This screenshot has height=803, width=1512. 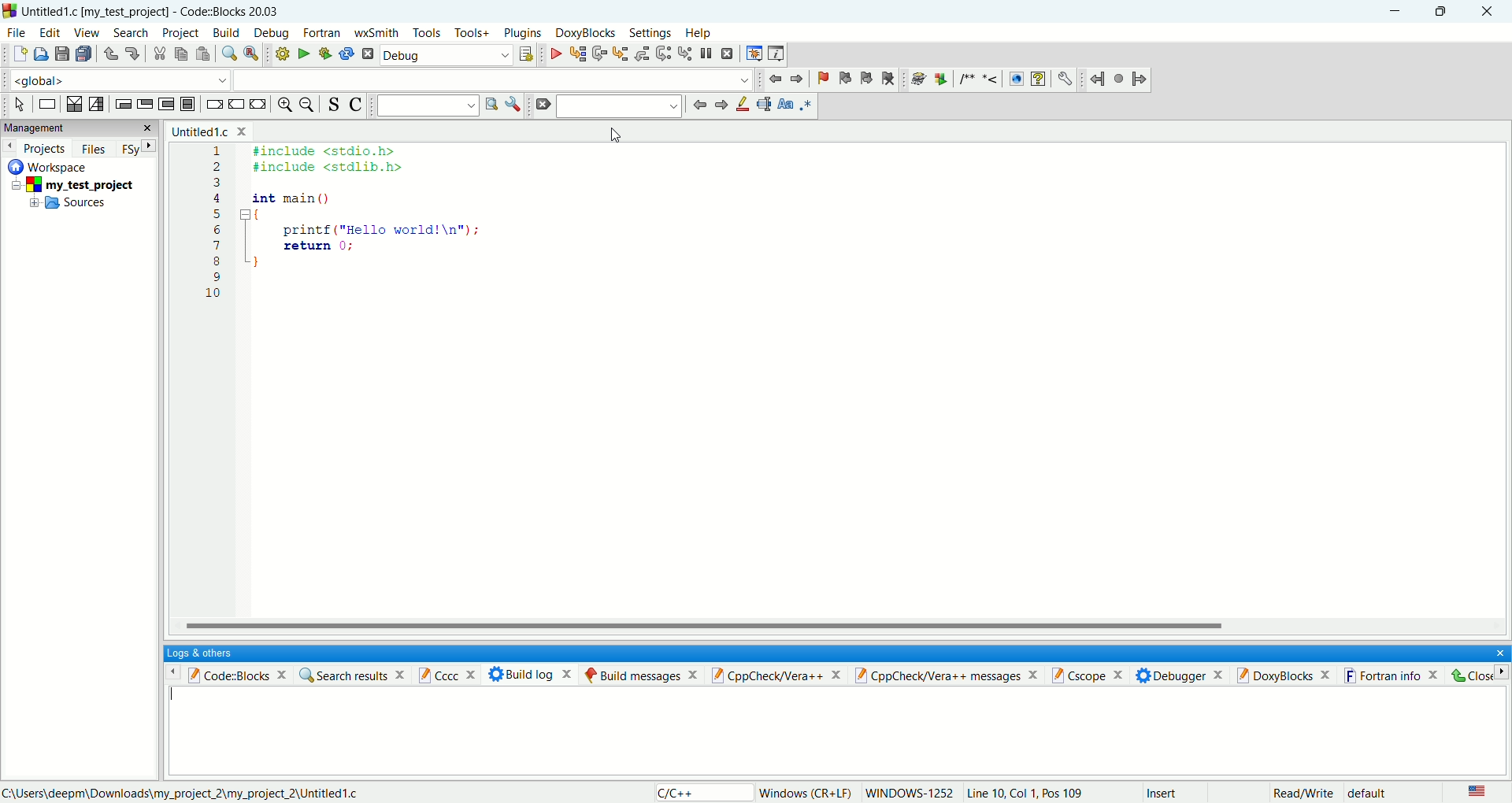 I want to click on select, so click(x=20, y=105).